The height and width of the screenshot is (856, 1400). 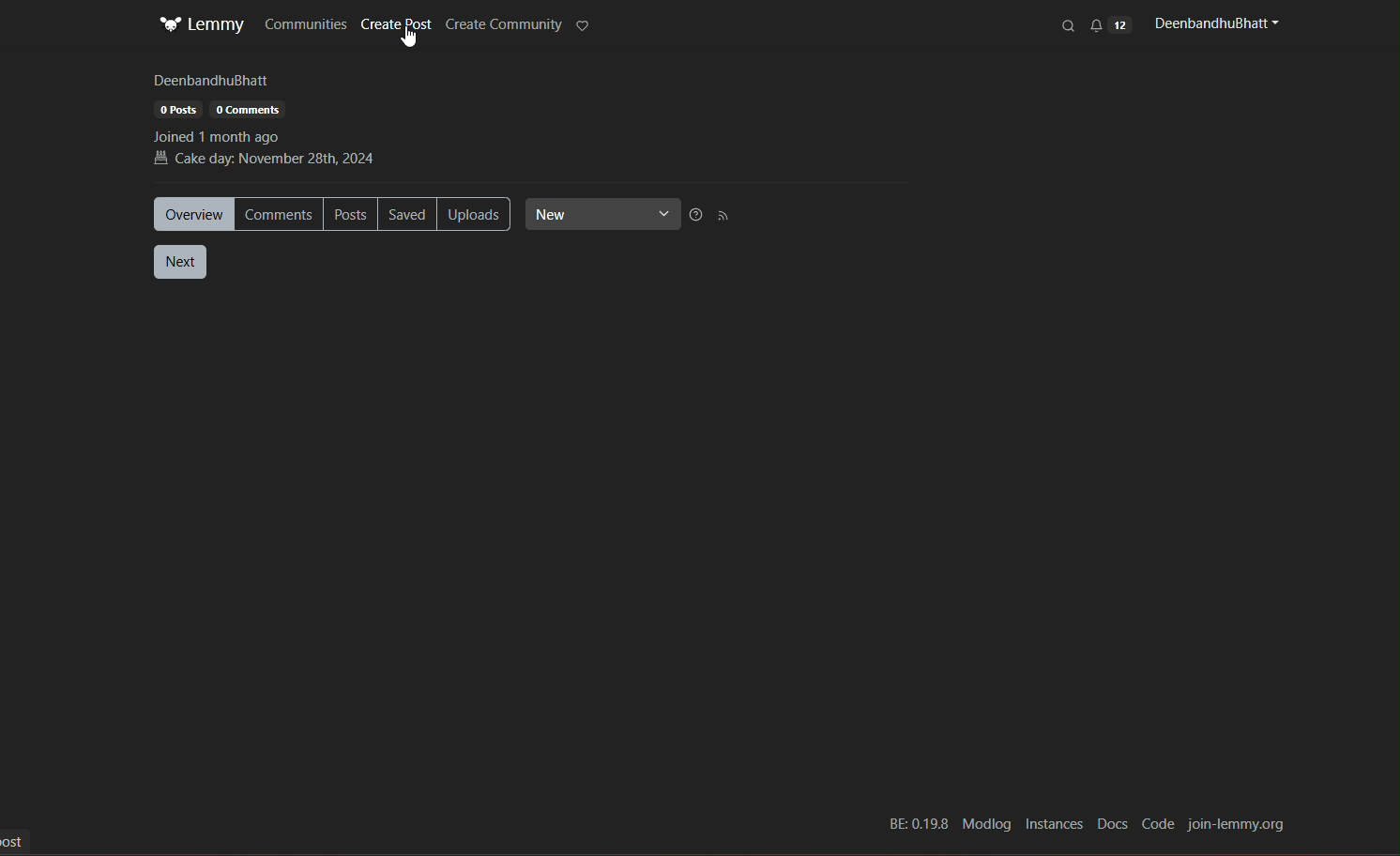 What do you see at coordinates (306, 23) in the screenshot?
I see `Communities` at bounding box center [306, 23].